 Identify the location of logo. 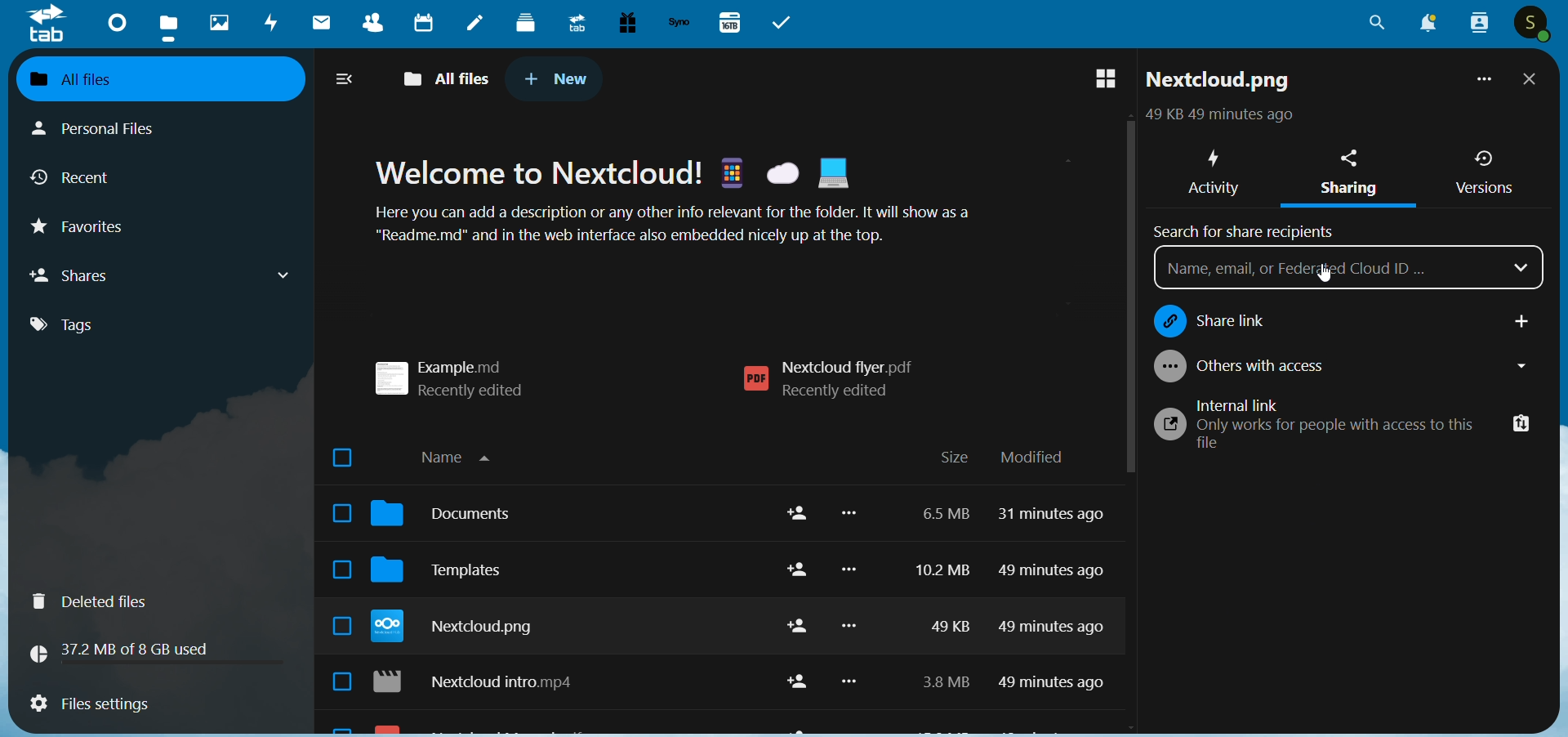
(47, 25).